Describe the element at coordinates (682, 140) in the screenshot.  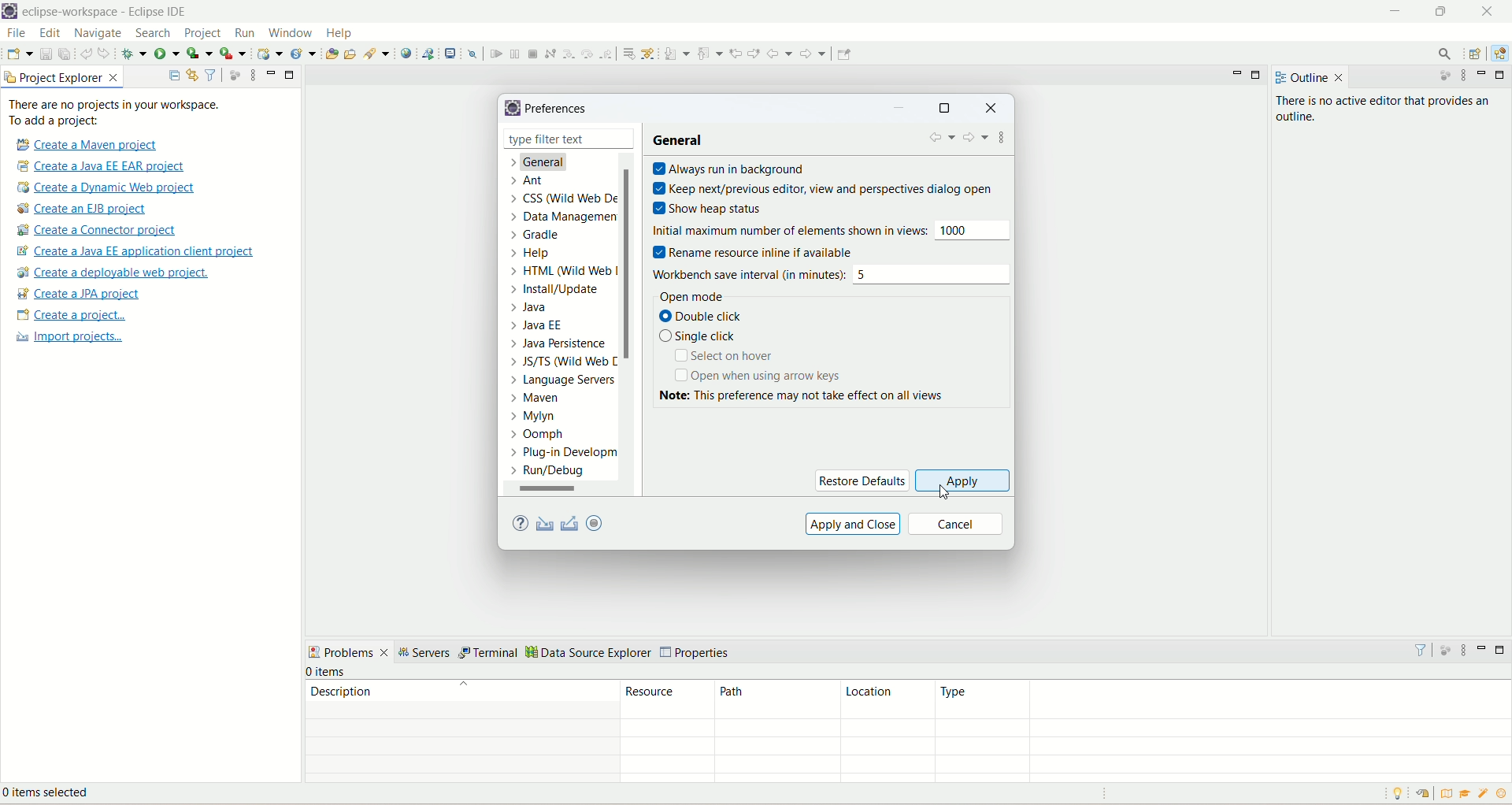
I see `general` at that location.